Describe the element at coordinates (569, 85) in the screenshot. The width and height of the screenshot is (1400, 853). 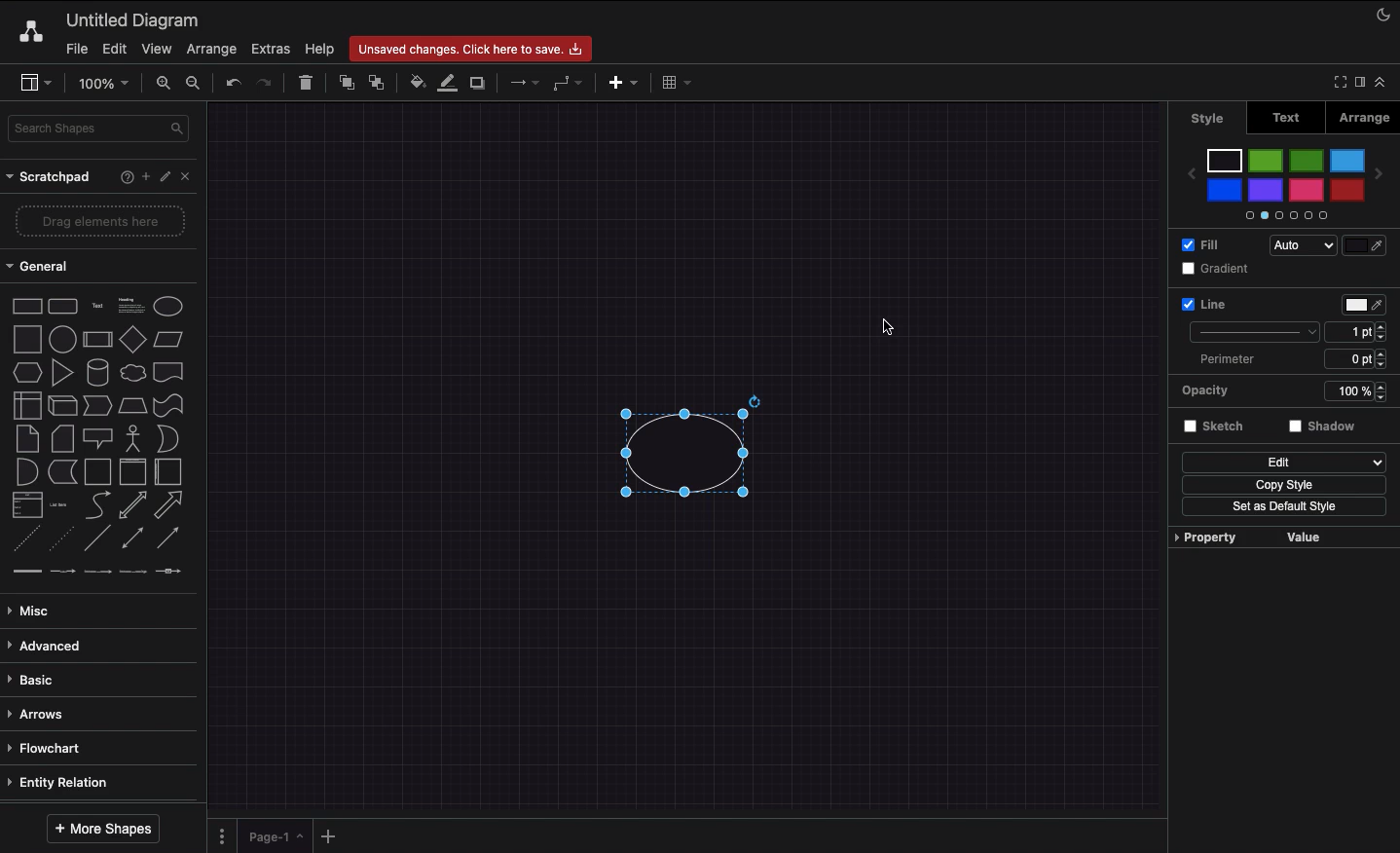
I see `Waypoints` at that location.